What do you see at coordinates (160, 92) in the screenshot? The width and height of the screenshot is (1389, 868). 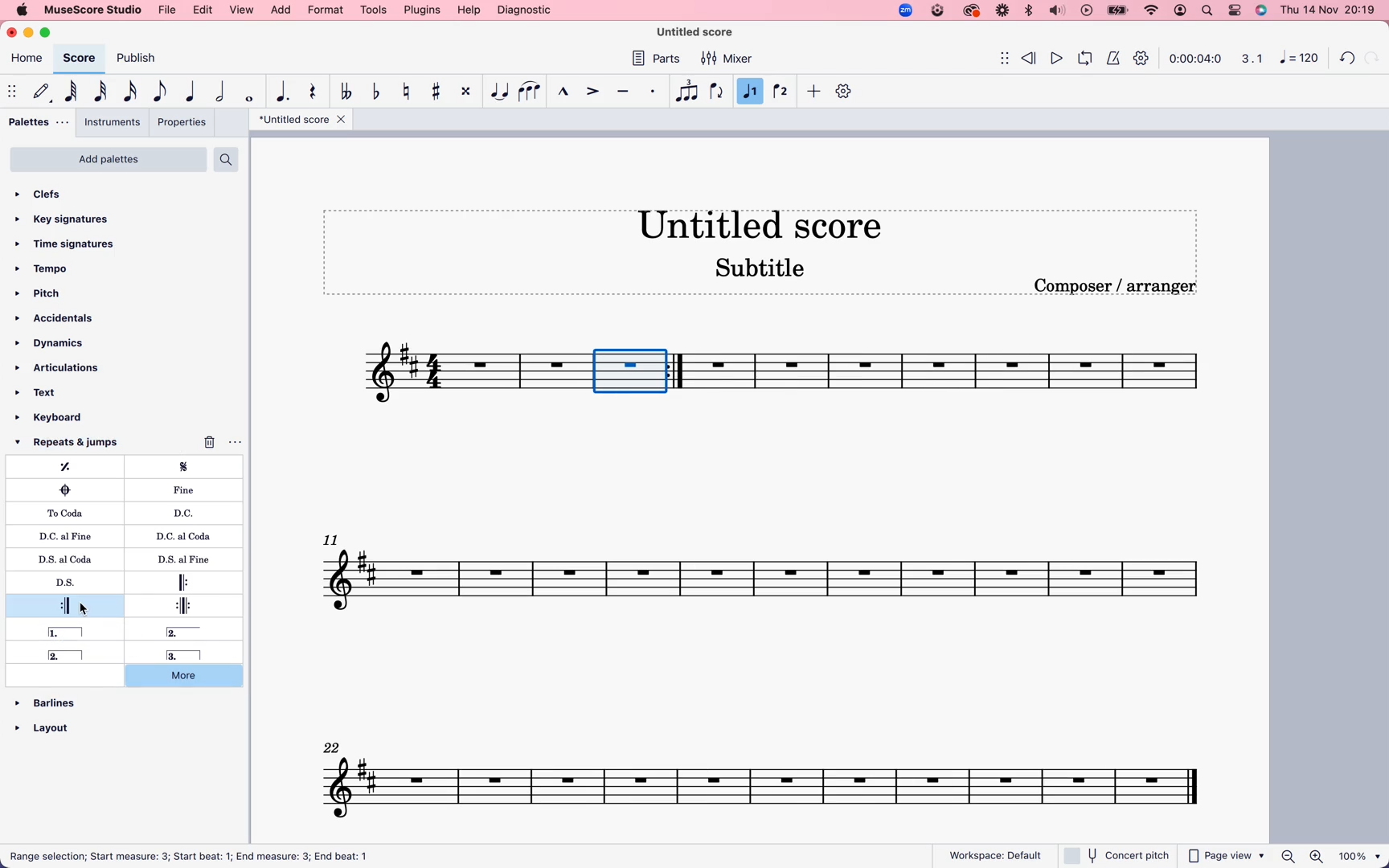 I see `eight note` at bounding box center [160, 92].